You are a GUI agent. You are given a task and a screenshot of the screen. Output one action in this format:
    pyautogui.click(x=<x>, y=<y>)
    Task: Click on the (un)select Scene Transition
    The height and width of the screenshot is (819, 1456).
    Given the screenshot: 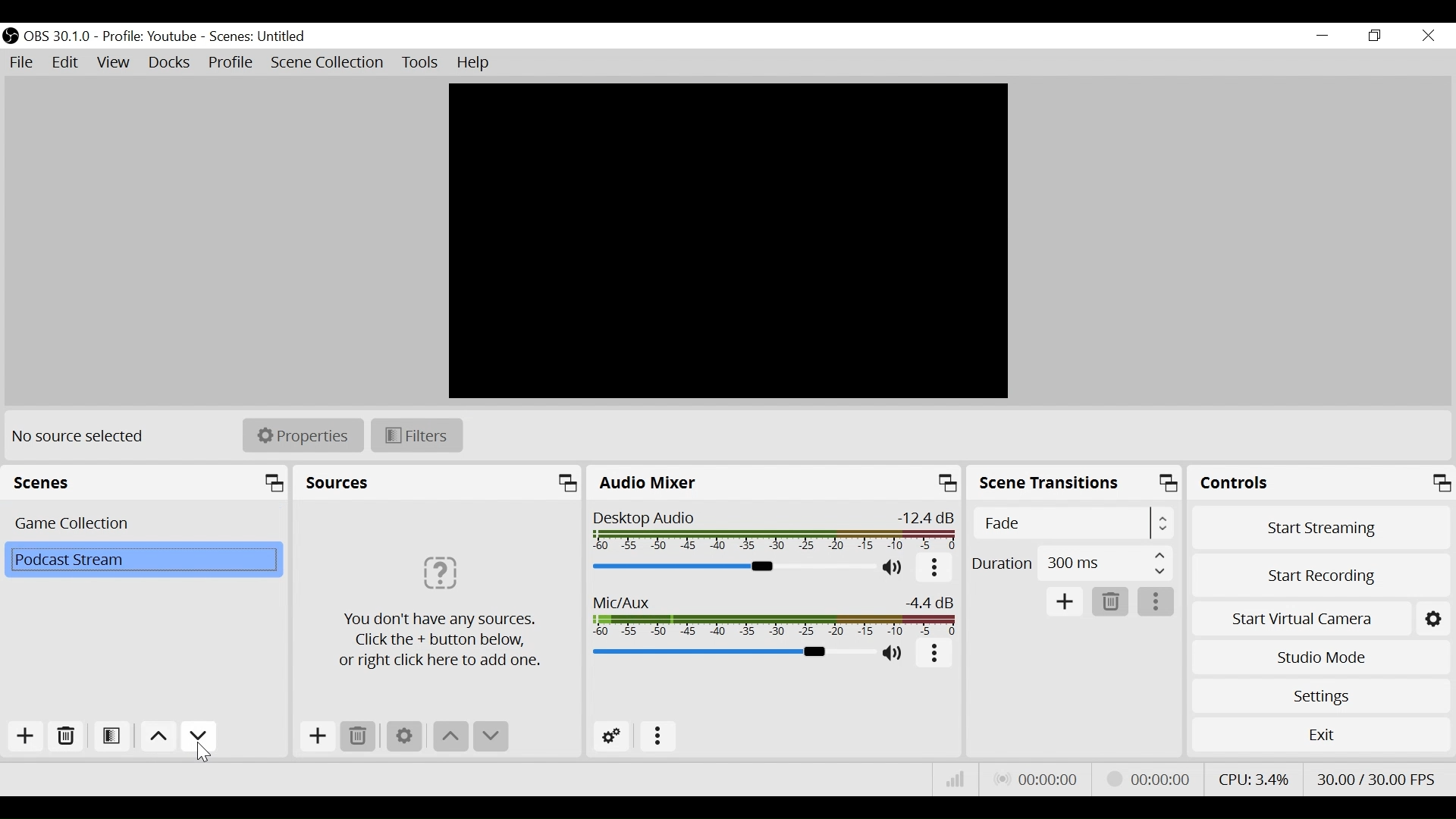 What is the action you would take?
    pyautogui.click(x=1071, y=523)
    